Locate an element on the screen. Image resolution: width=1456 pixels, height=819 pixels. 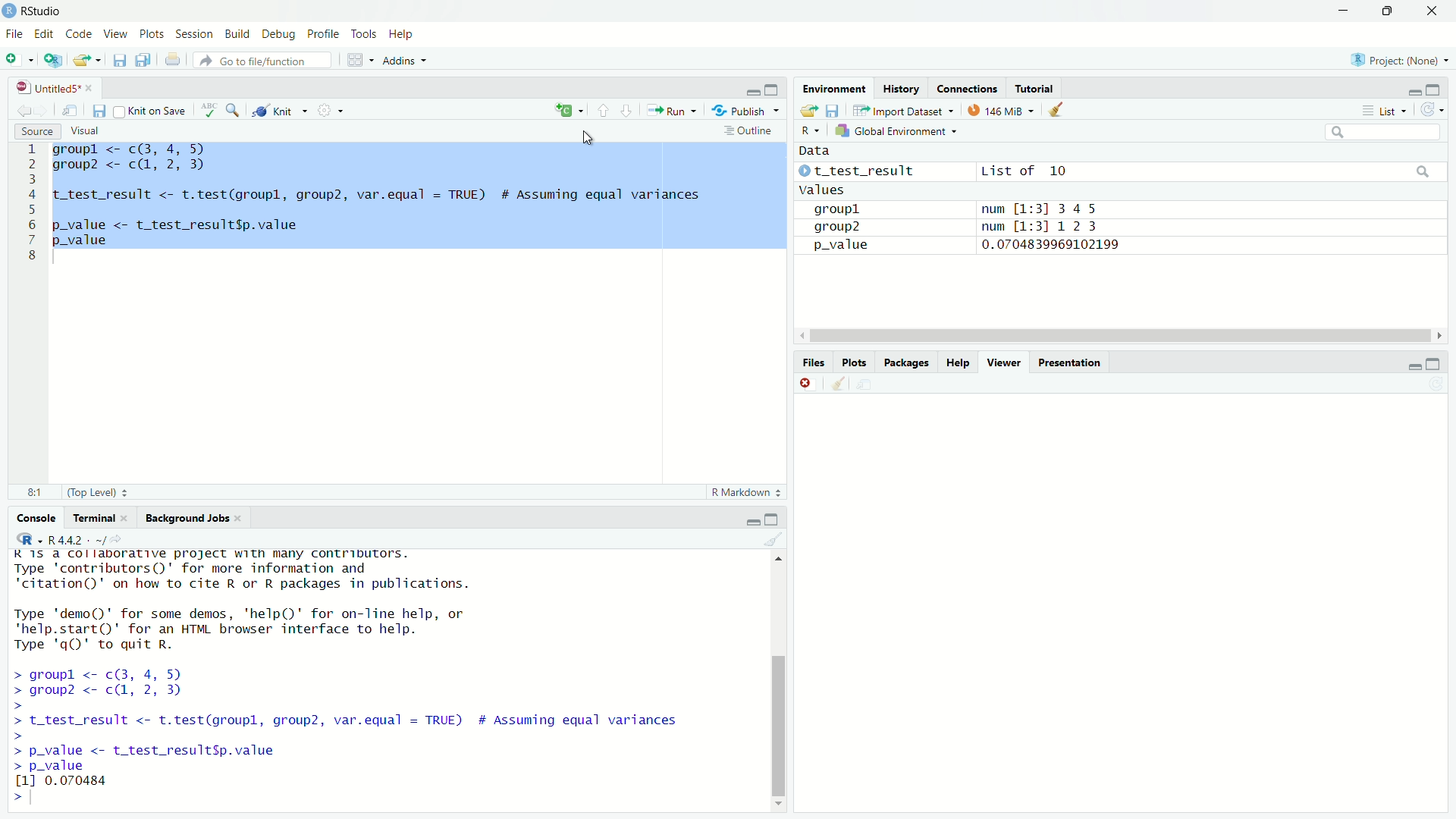
Addins  is located at coordinates (400, 61).